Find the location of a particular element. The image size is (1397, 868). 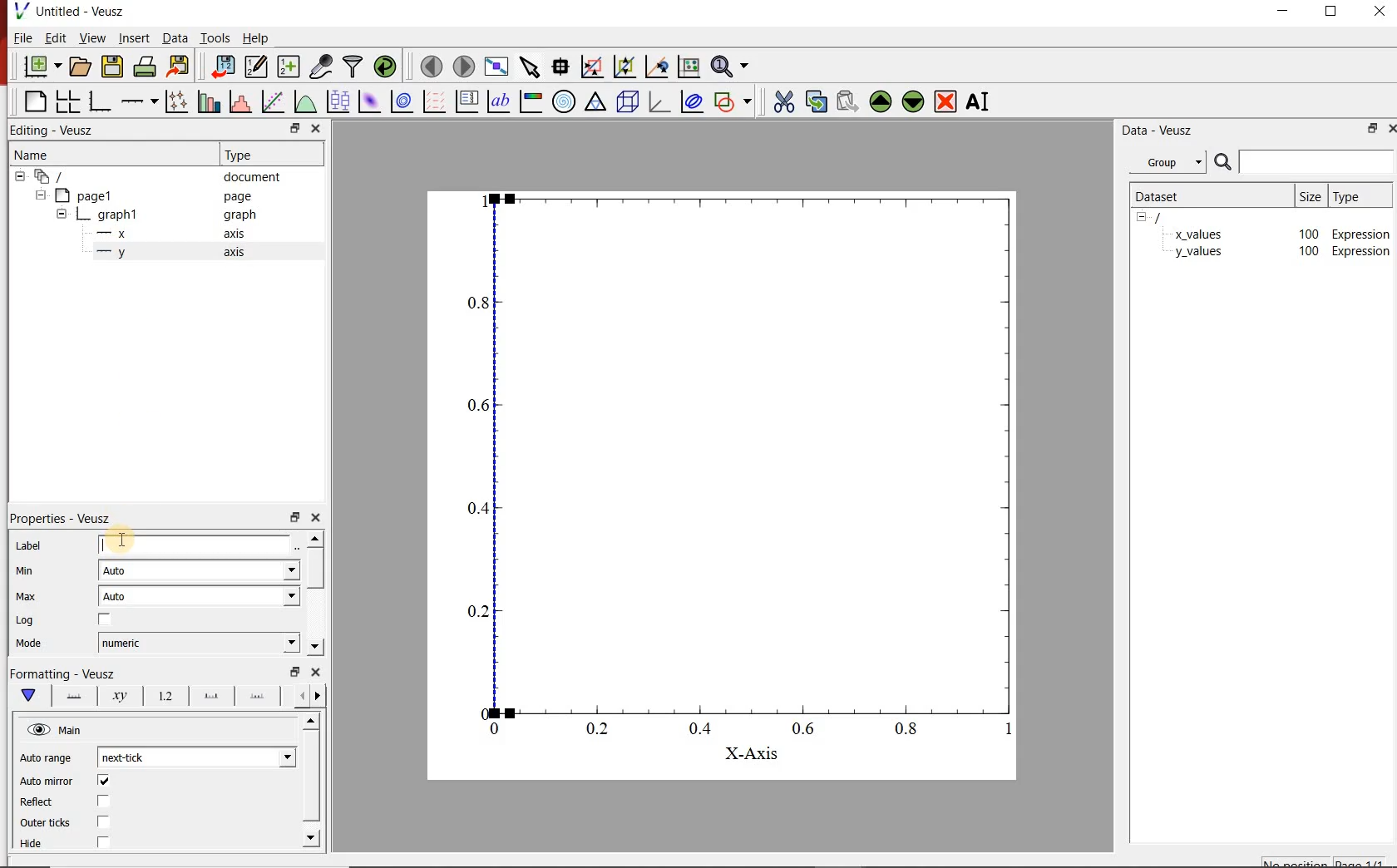

create new datasets using ranges, parametrically or as functions of existing datasets is located at coordinates (291, 67).